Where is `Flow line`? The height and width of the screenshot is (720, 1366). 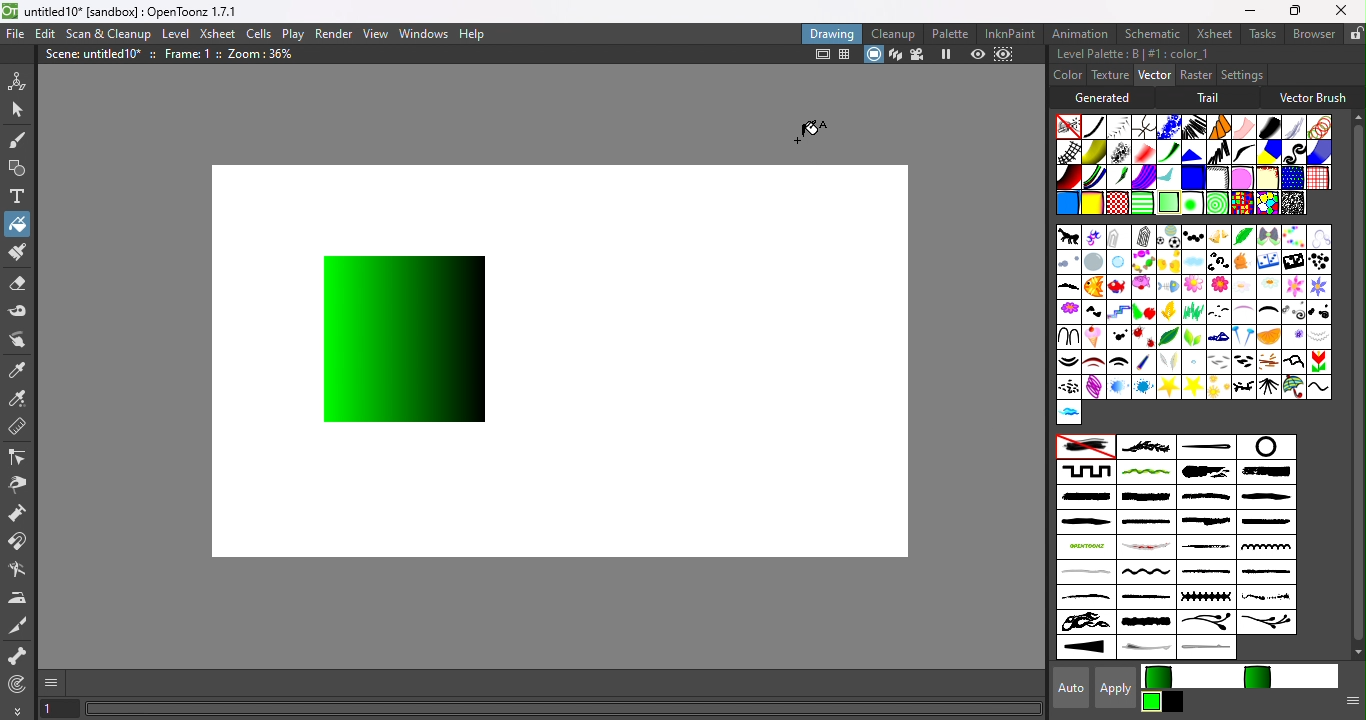
Flow line is located at coordinates (1167, 179).